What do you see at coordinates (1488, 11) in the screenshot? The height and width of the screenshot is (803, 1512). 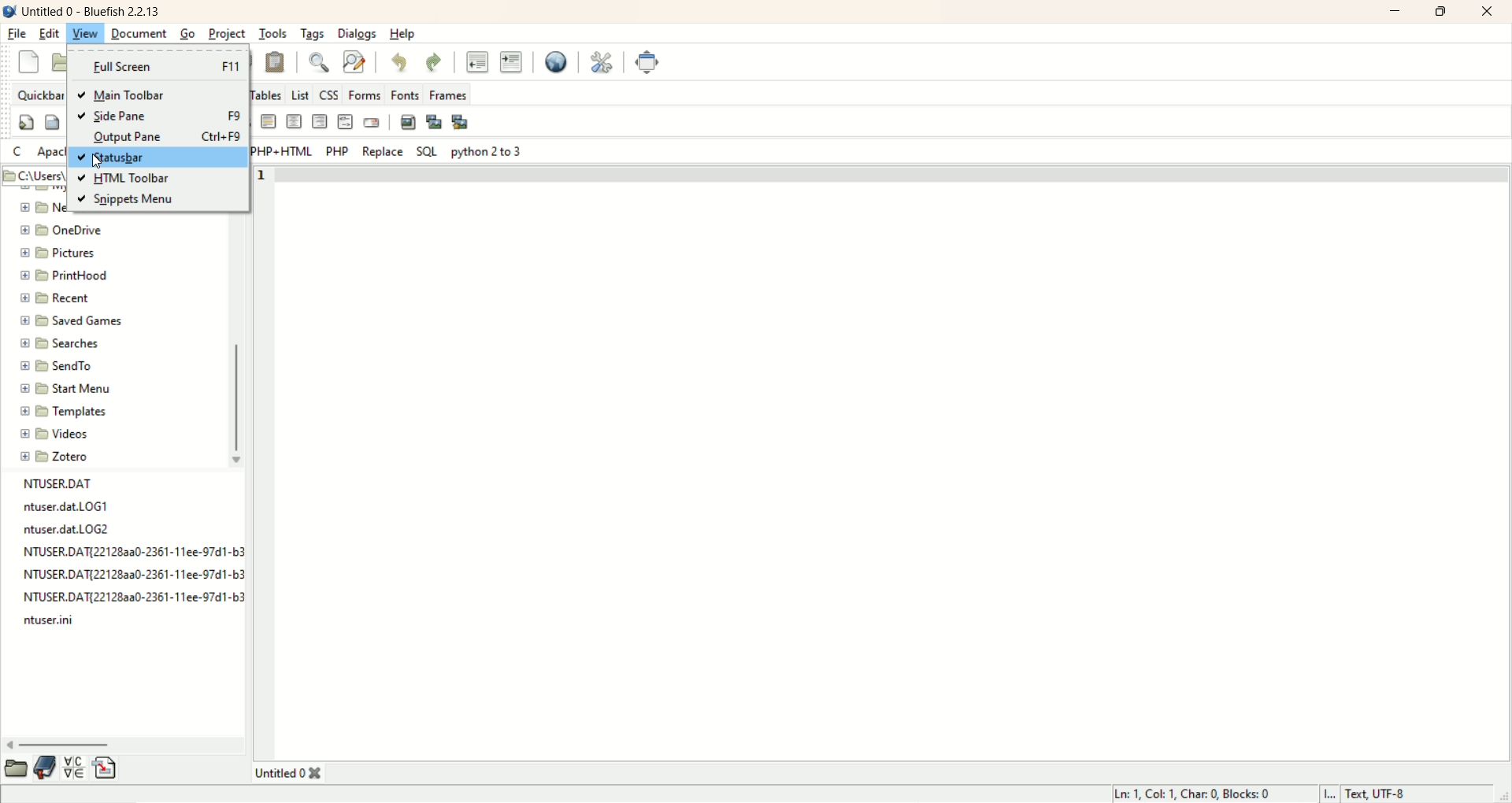 I see `close` at bounding box center [1488, 11].